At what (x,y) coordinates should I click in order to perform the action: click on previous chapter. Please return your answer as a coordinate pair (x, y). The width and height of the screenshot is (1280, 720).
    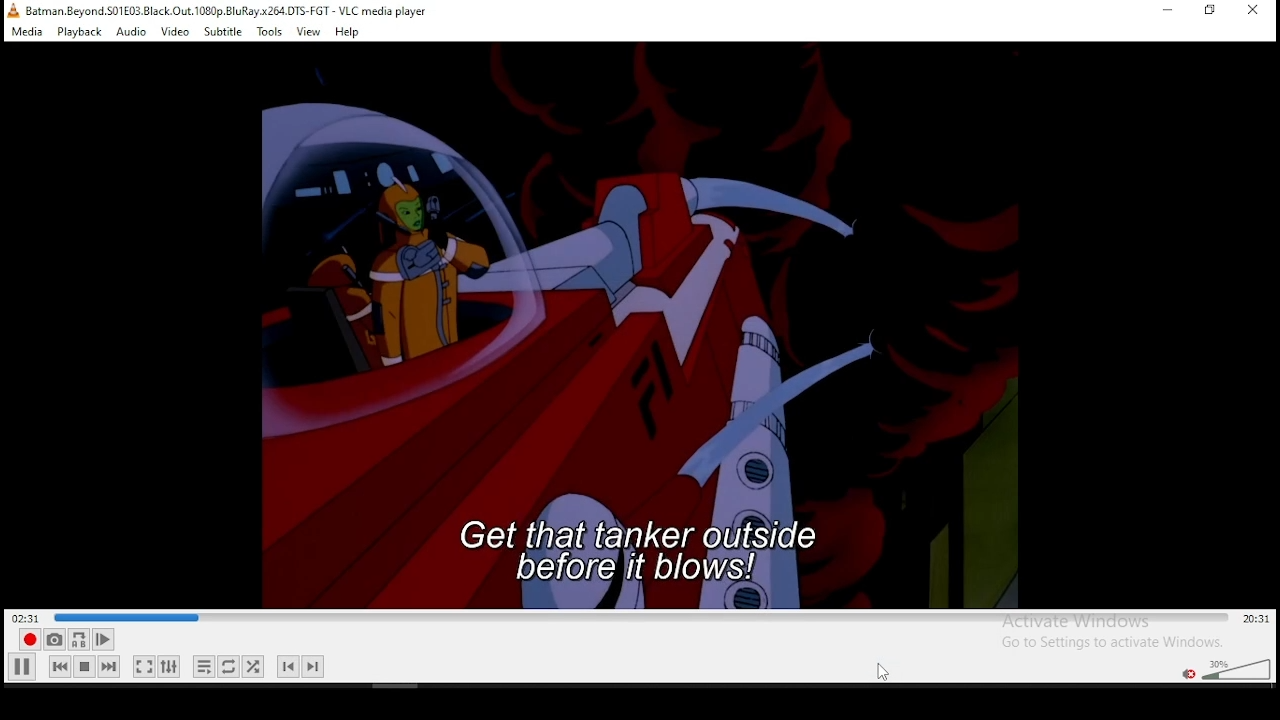
    Looking at the image, I should click on (287, 667).